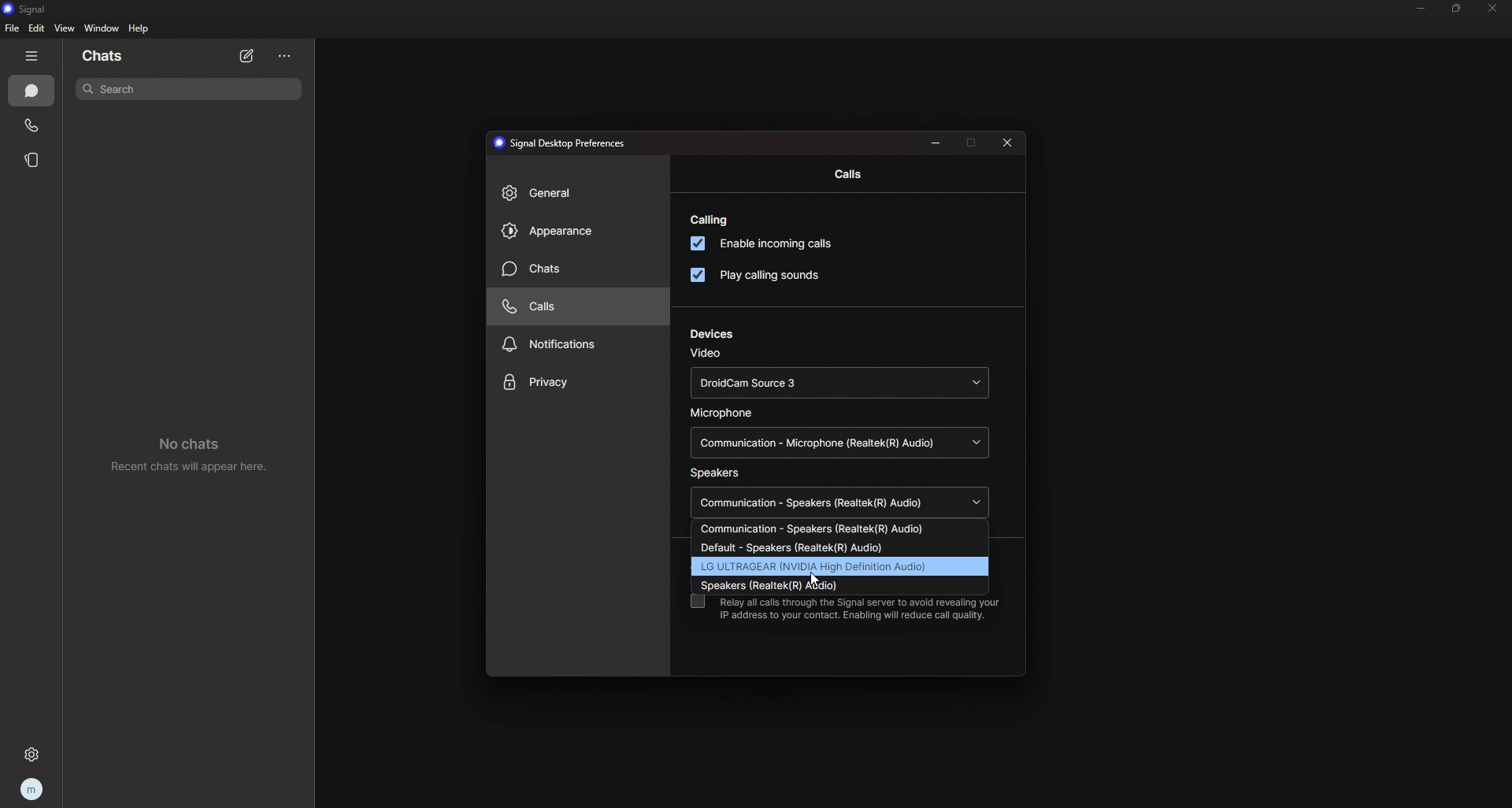 This screenshot has height=808, width=1512. What do you see at coordinates (33, 126) in the screenshot?
I see `calls` at bounding box center [33, 126].